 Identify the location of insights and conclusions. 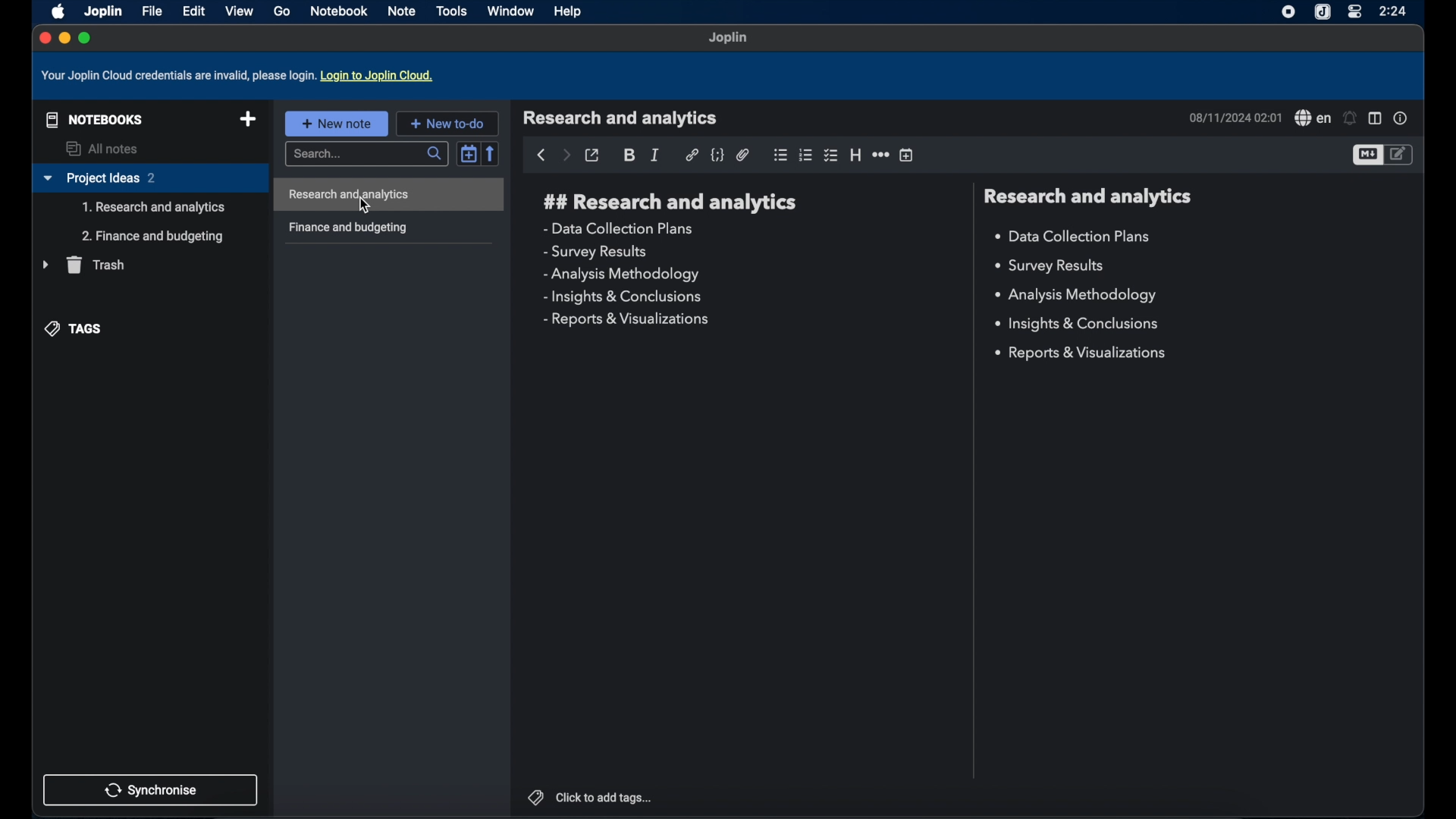
(624, 297).